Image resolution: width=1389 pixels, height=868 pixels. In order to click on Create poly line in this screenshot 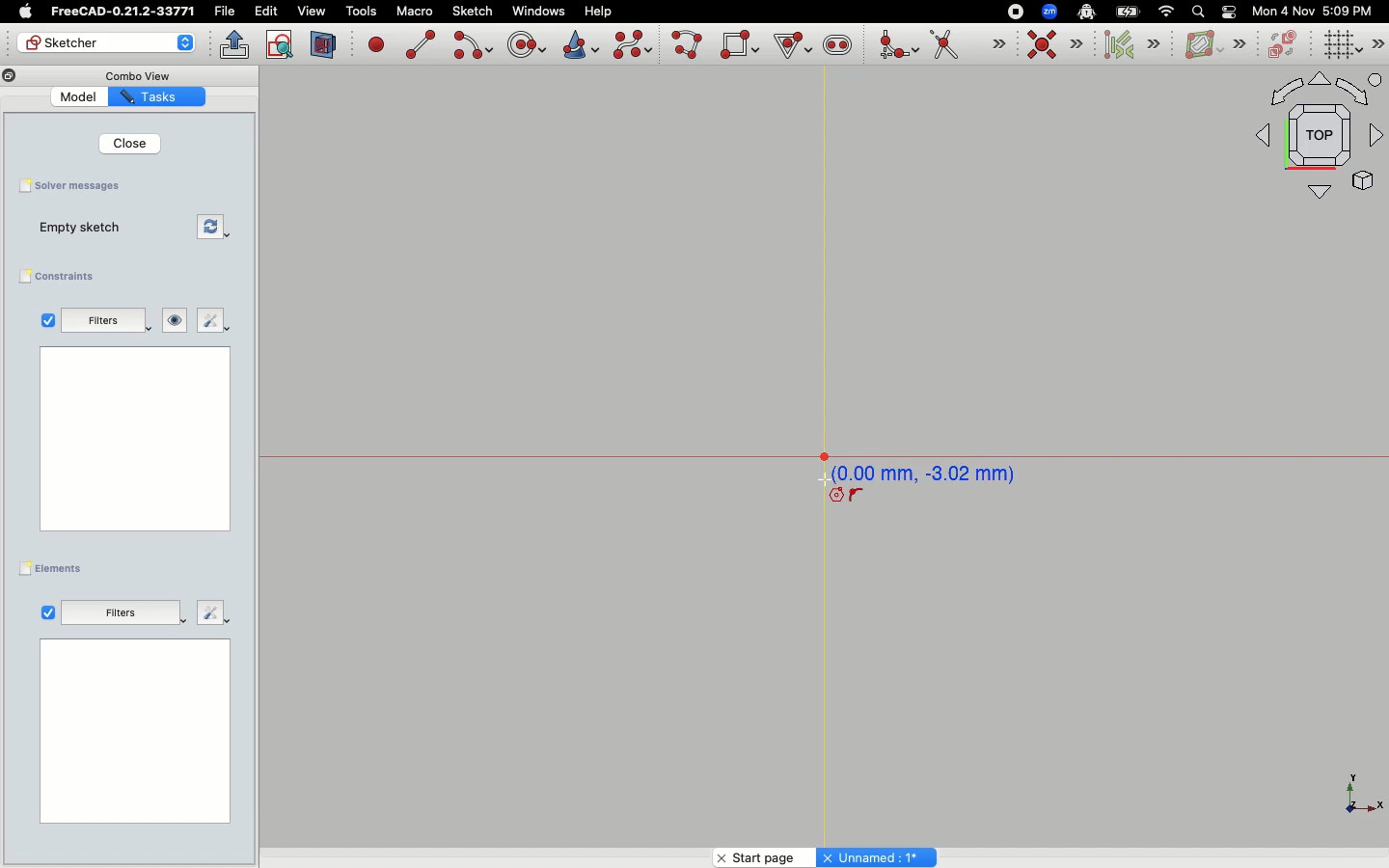, I will do `click(688, 46)`.